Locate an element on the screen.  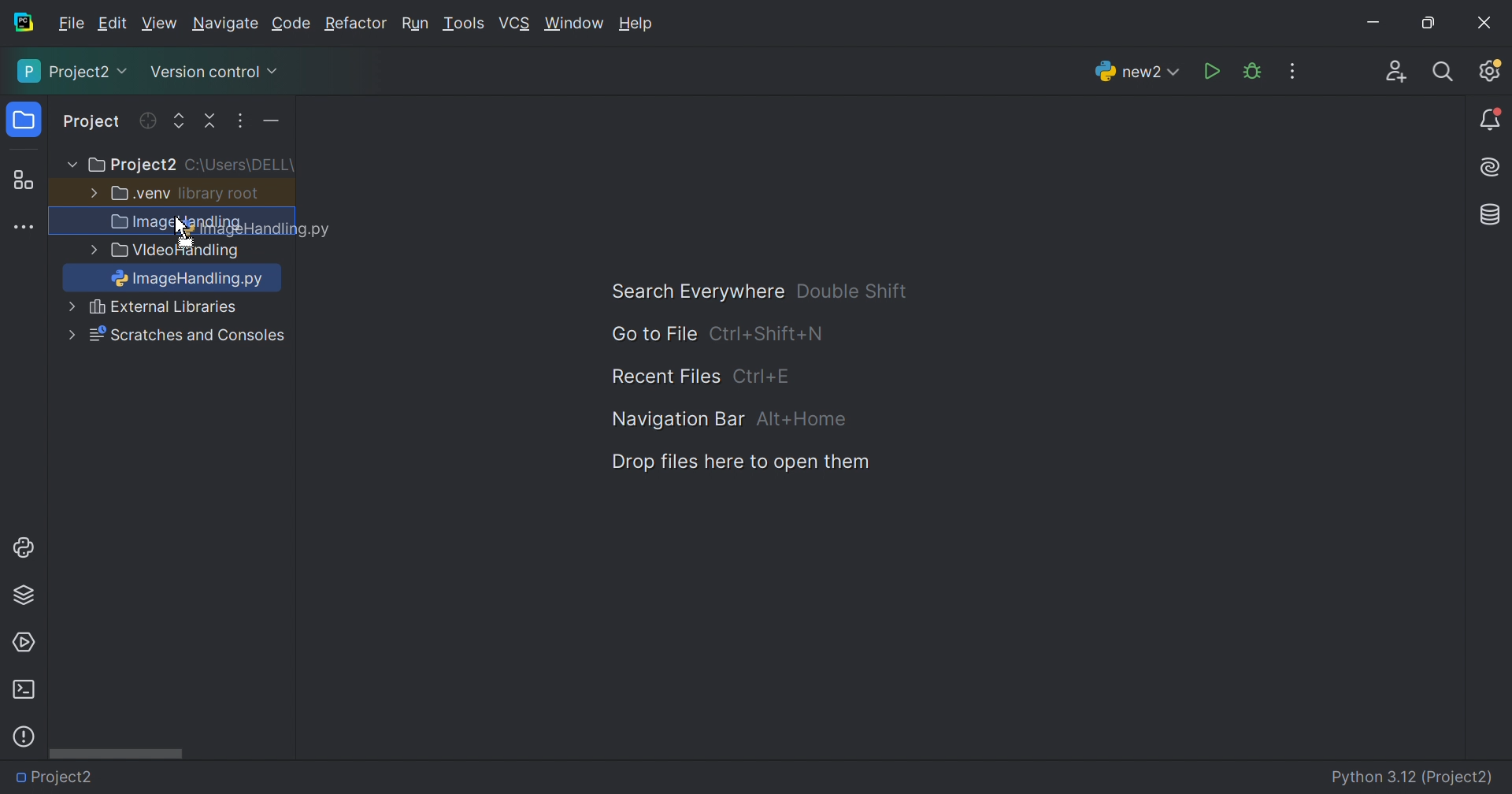
Expand all is located at coordinates (180, 122).